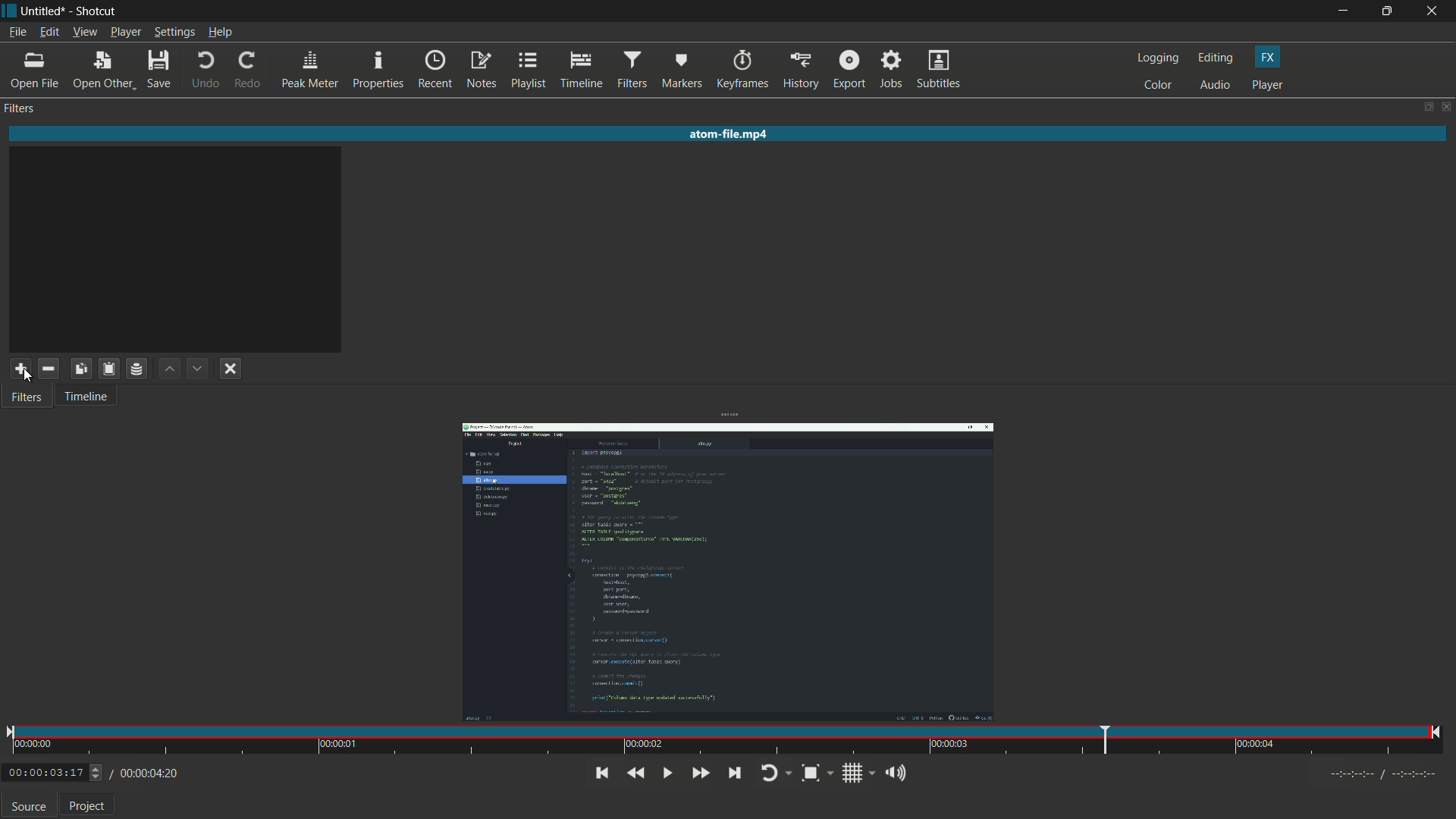 The width and height of the screenshot is (1456, 819). Describe the element at coordinates (635, 773) in the screenshot. I see `quickly play backward` at that location.